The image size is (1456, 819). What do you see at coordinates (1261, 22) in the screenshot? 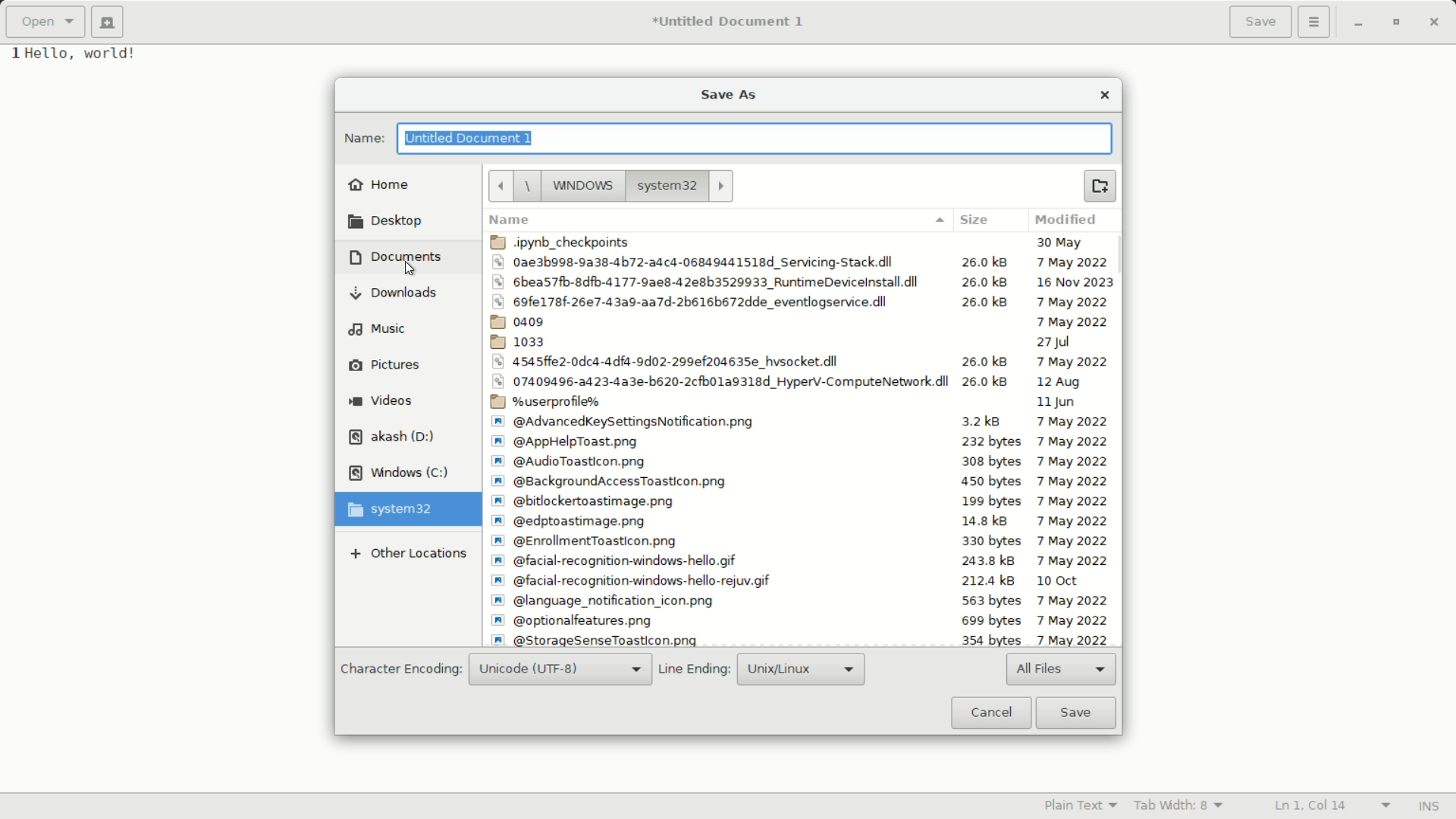
I see `save file` at bounding box center [1261, 22].